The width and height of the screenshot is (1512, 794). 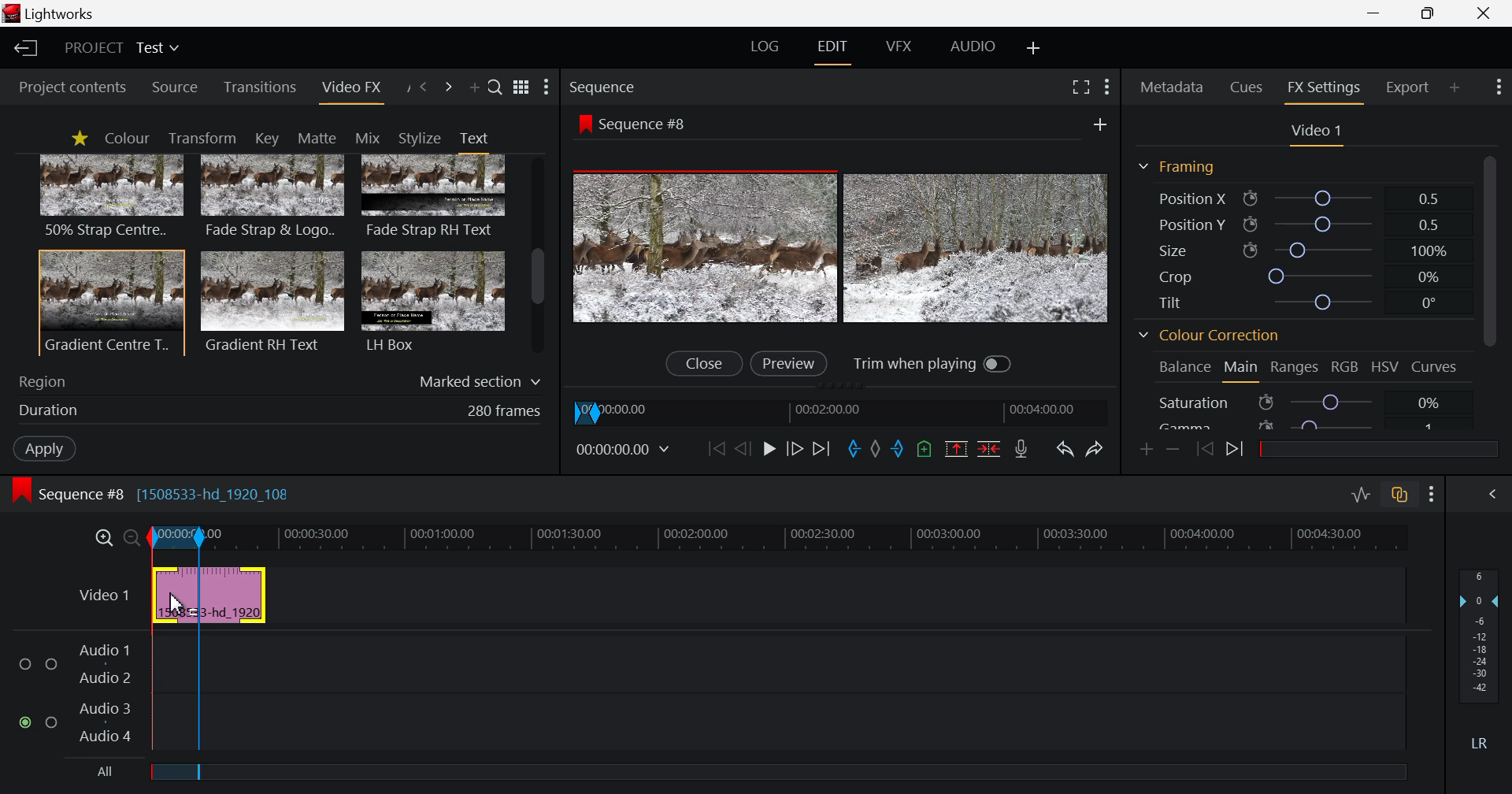 I want to click on remove keyframe, so click(x=1173, y=449).